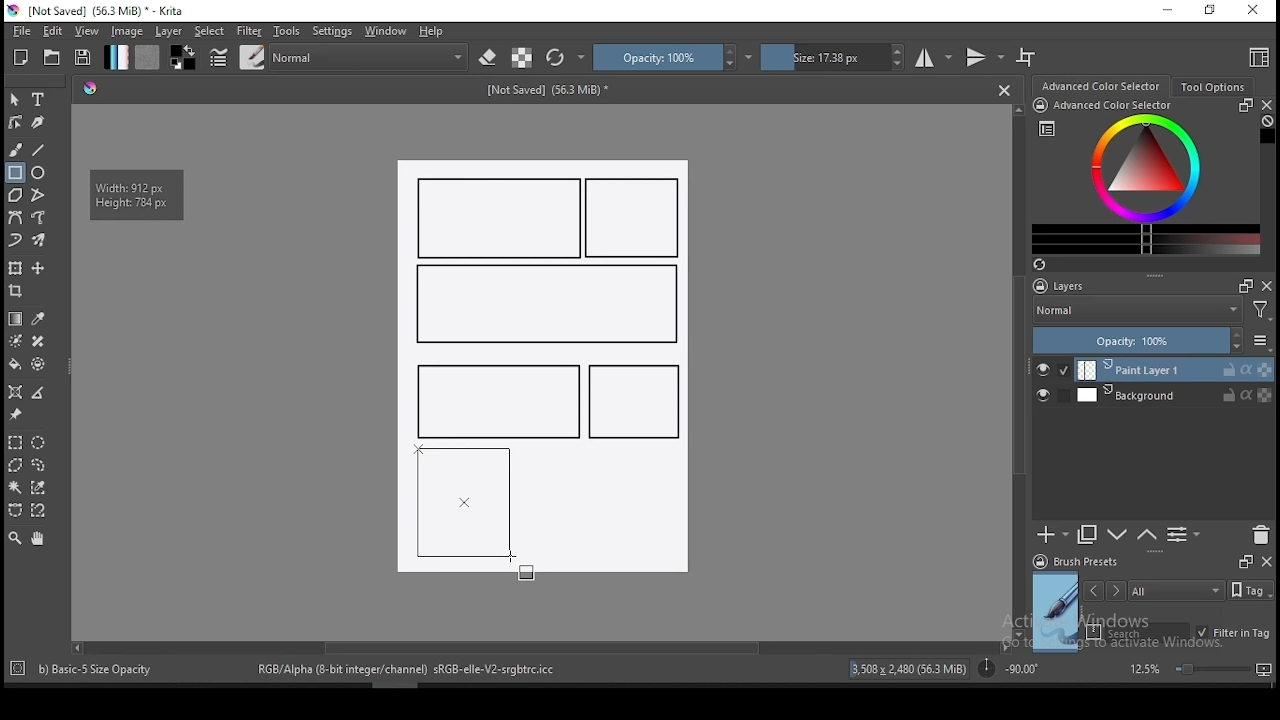 The image size is (1280, 720). Describe the element at coordinates (52, 30) in the screenshot. I see `edit` at that location.